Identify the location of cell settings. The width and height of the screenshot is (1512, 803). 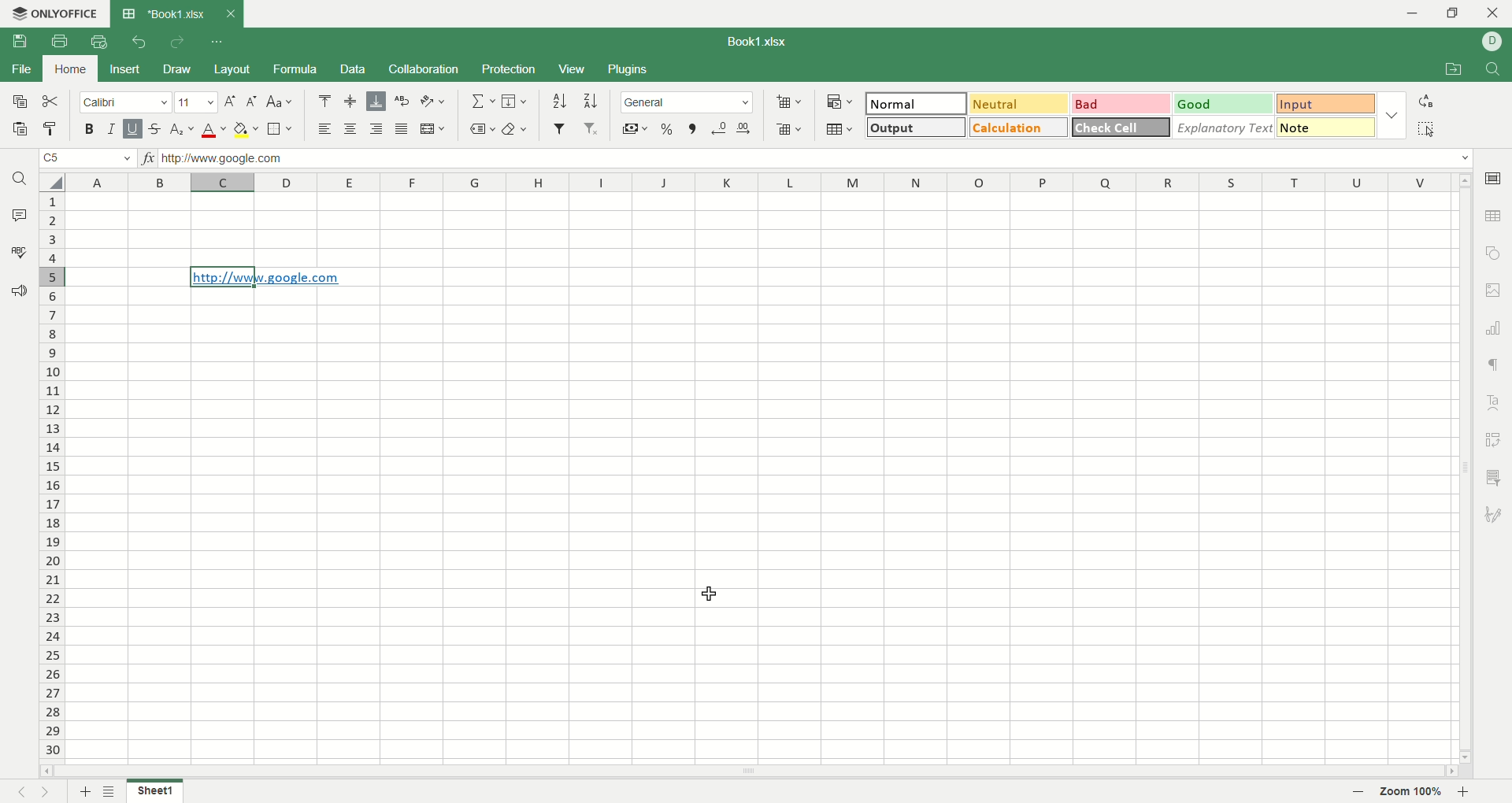
(1492, 176).